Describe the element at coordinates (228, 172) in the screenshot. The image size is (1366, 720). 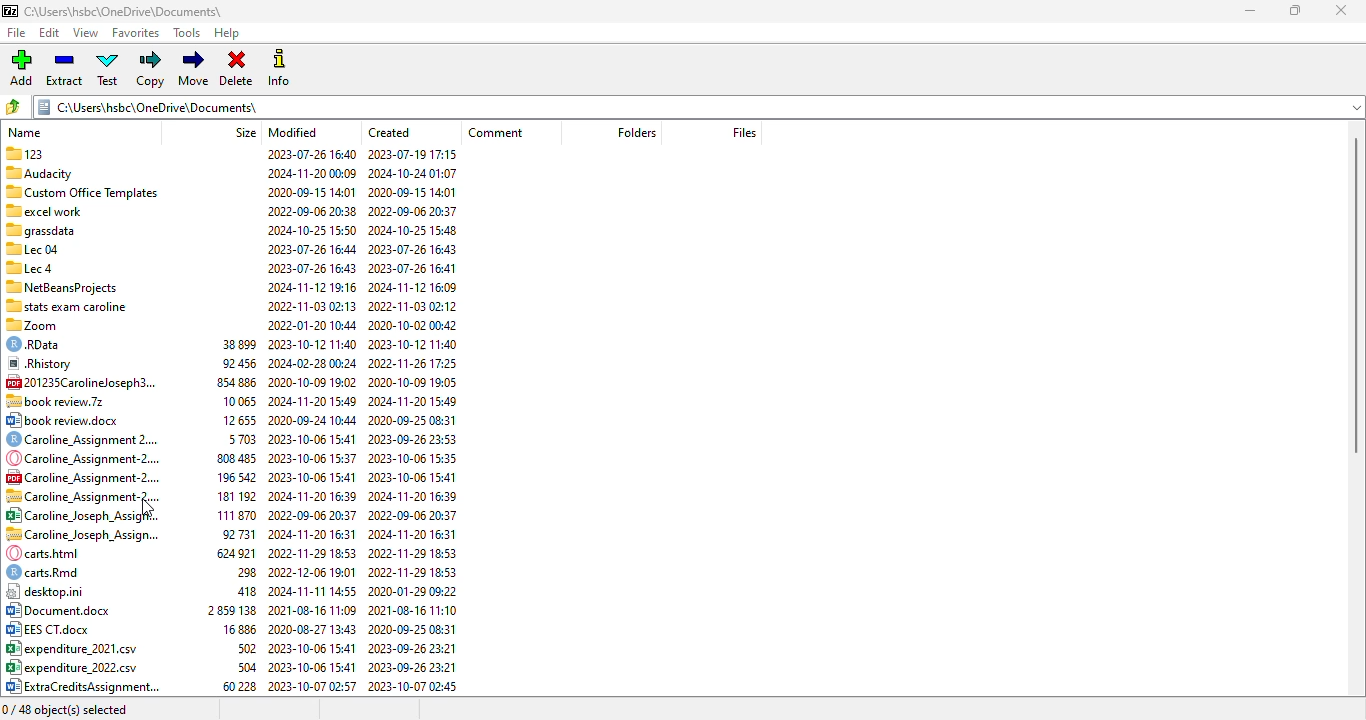
I see `"Audacity 2024-11-20 00:09 2024-10-24 01:07` at that location.